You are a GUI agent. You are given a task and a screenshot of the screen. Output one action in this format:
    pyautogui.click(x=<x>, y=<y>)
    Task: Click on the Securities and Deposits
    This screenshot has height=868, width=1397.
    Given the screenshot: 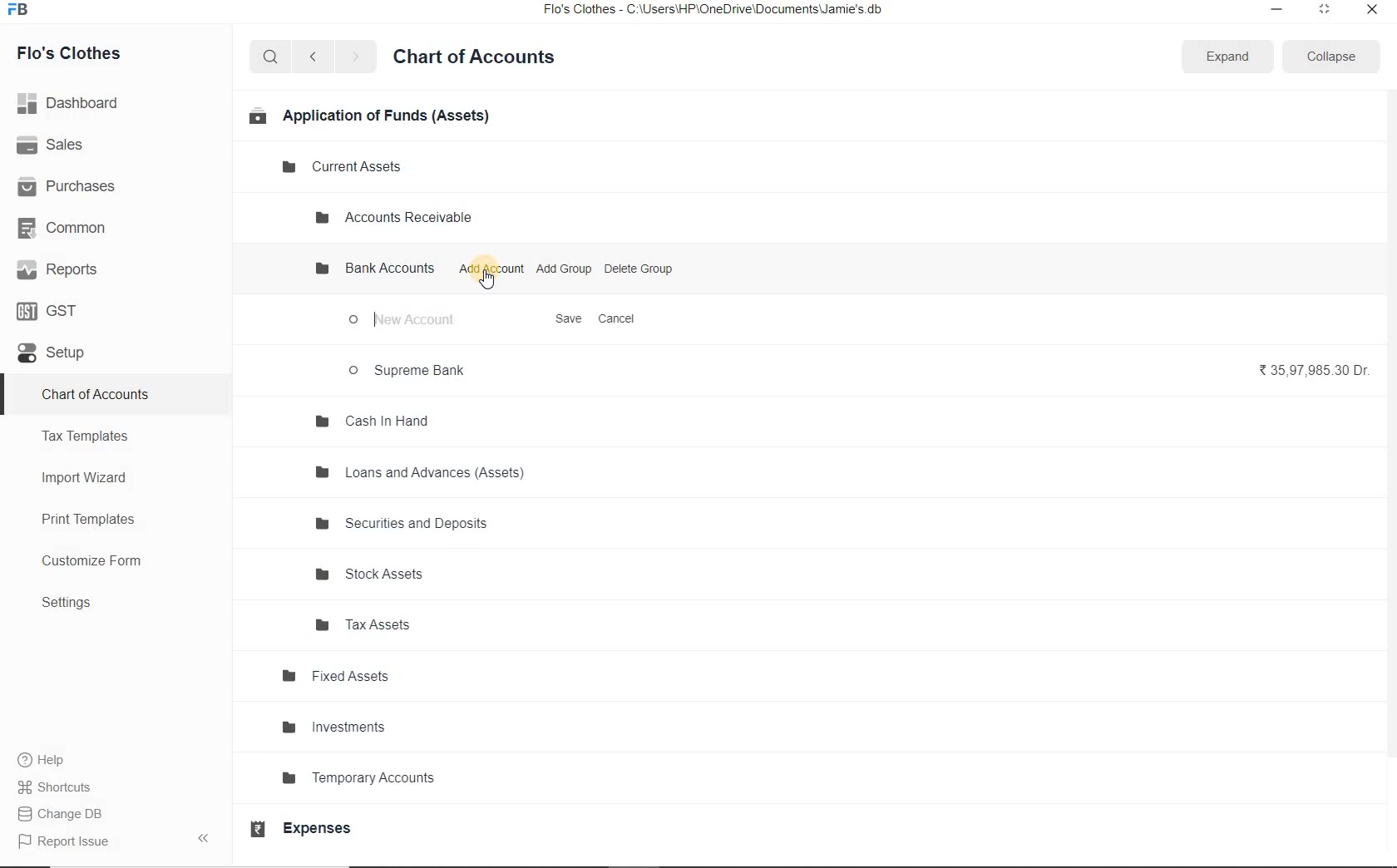 What is the action you would take?
    pyautogui.click(x=412, y=523)
    